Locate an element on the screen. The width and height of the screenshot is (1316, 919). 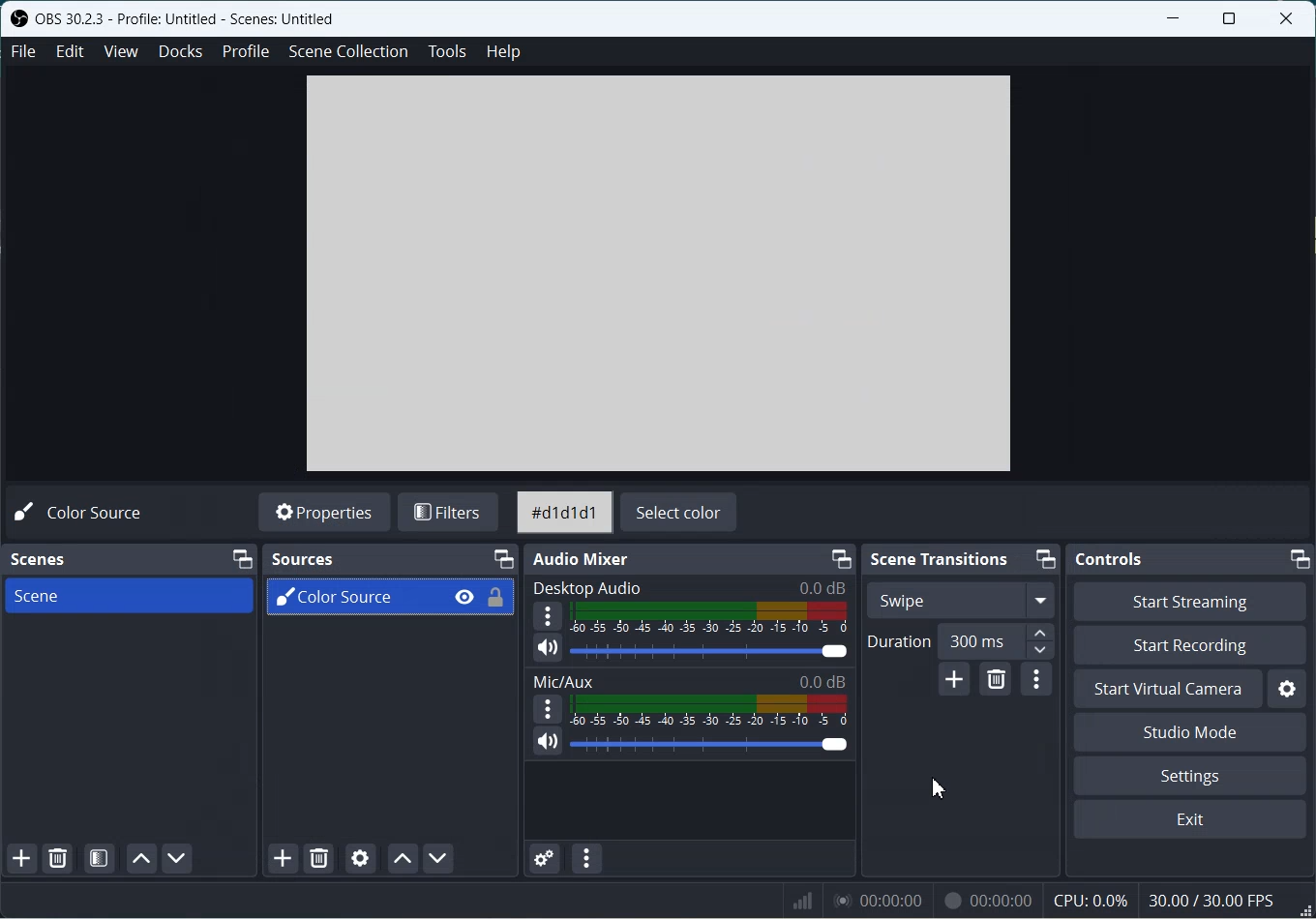
Swipe is located at coordinates (960, 600).